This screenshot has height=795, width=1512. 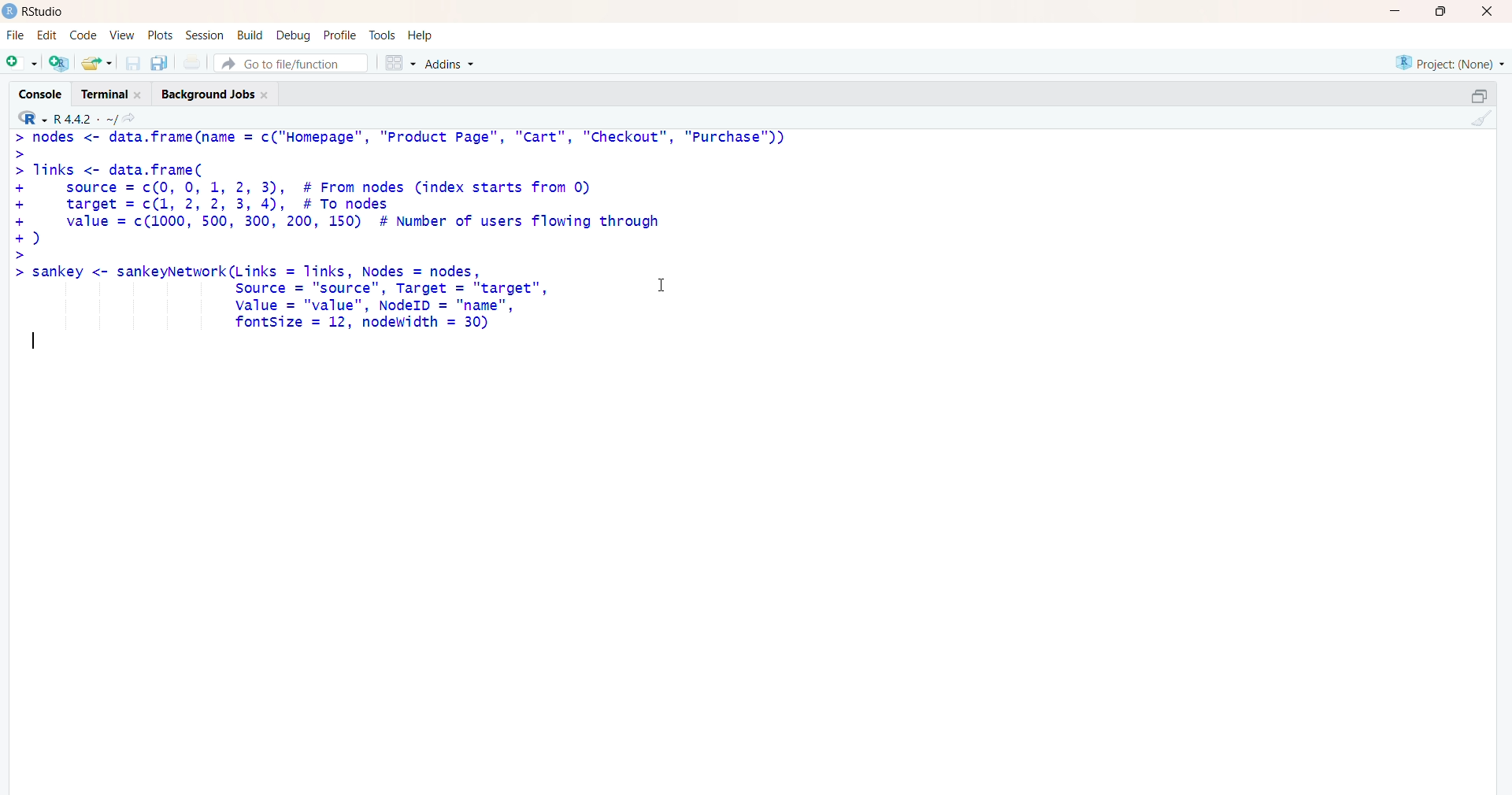 What do you see at coordinates (383, 33) in the screenshot?
I see `tools` at bounding box center [383, 33].